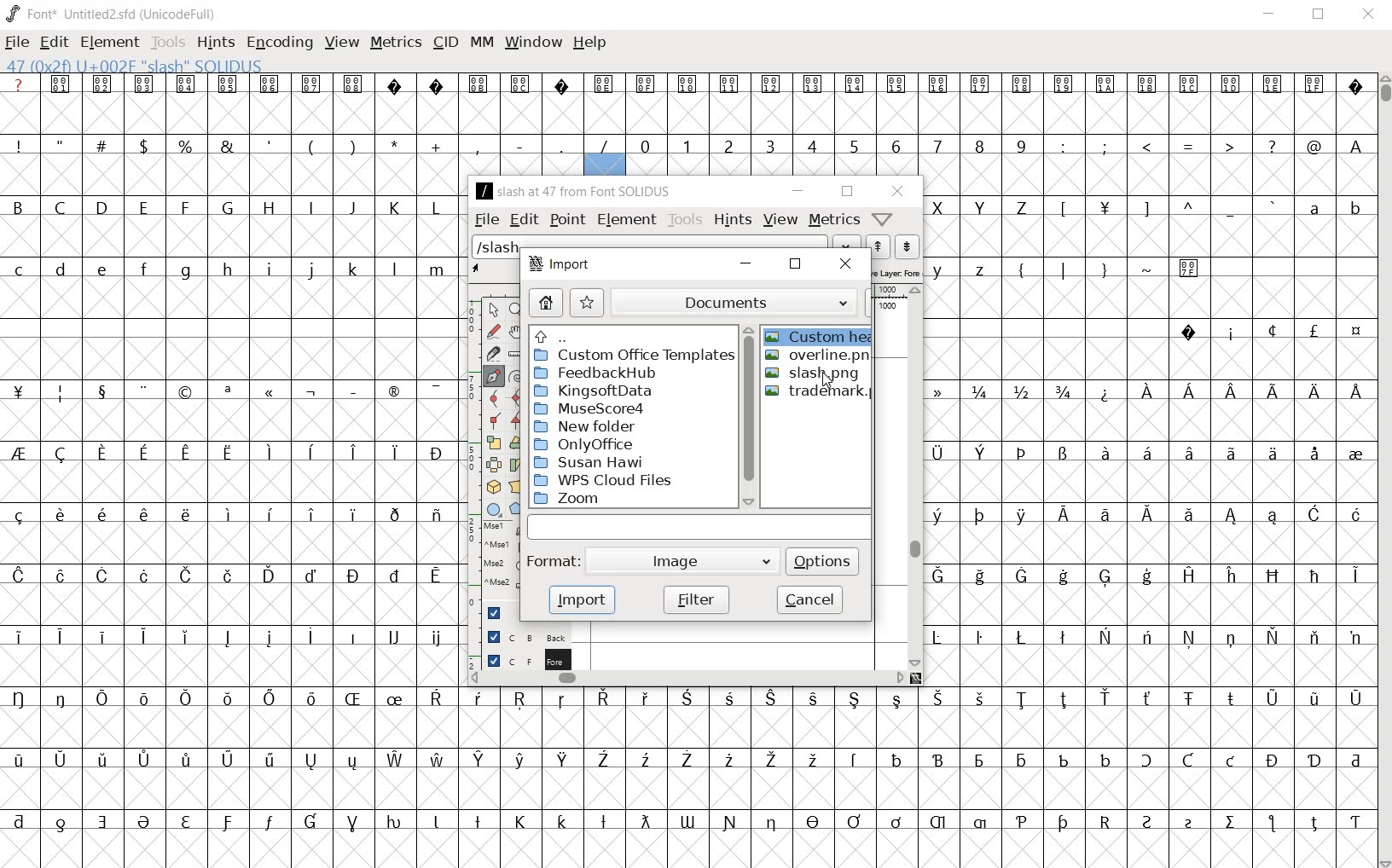  I want to click on cancel, so click(813, 599).